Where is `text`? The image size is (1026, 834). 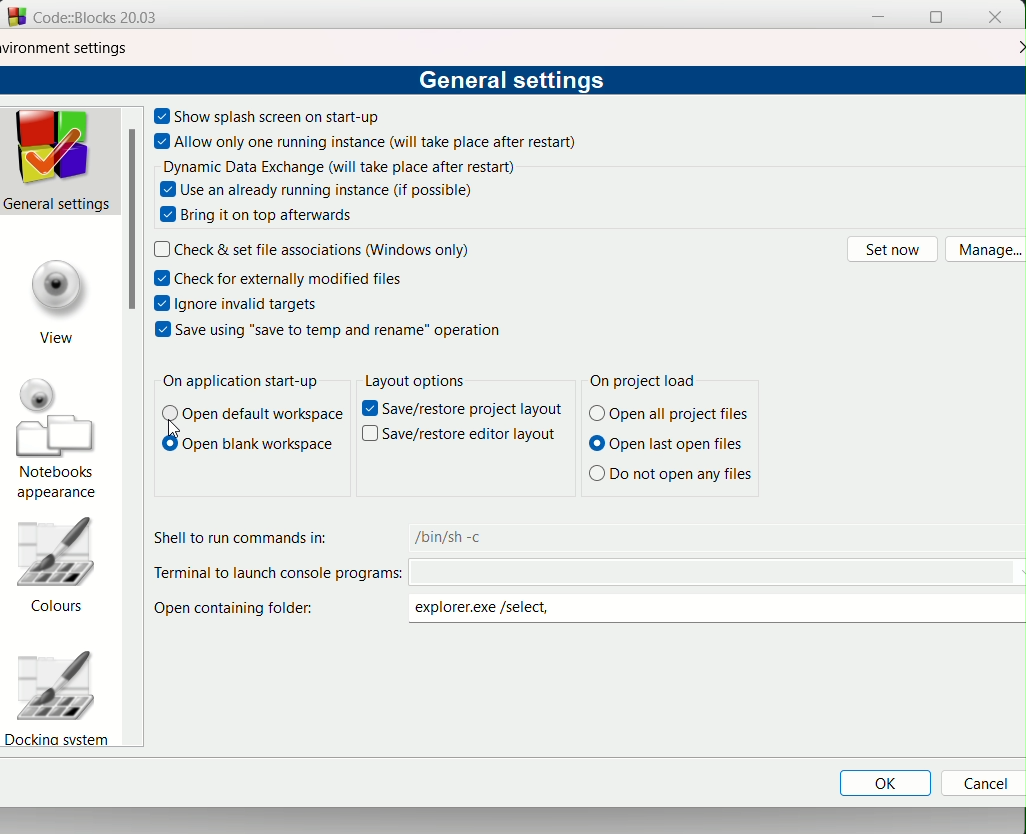
text is located at coordinates (646, 380).